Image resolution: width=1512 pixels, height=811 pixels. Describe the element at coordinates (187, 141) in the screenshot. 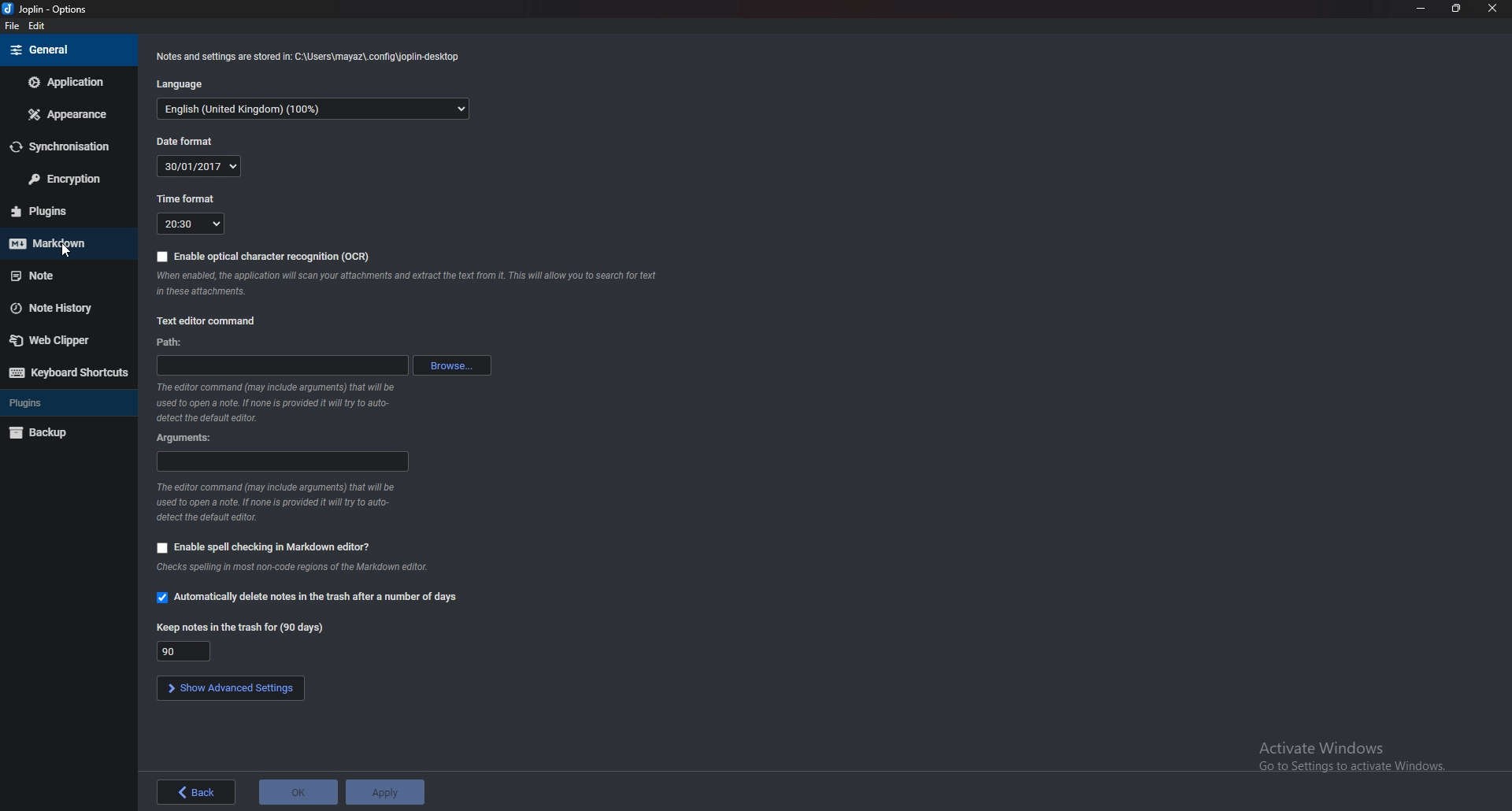

I see `date format` at that location.